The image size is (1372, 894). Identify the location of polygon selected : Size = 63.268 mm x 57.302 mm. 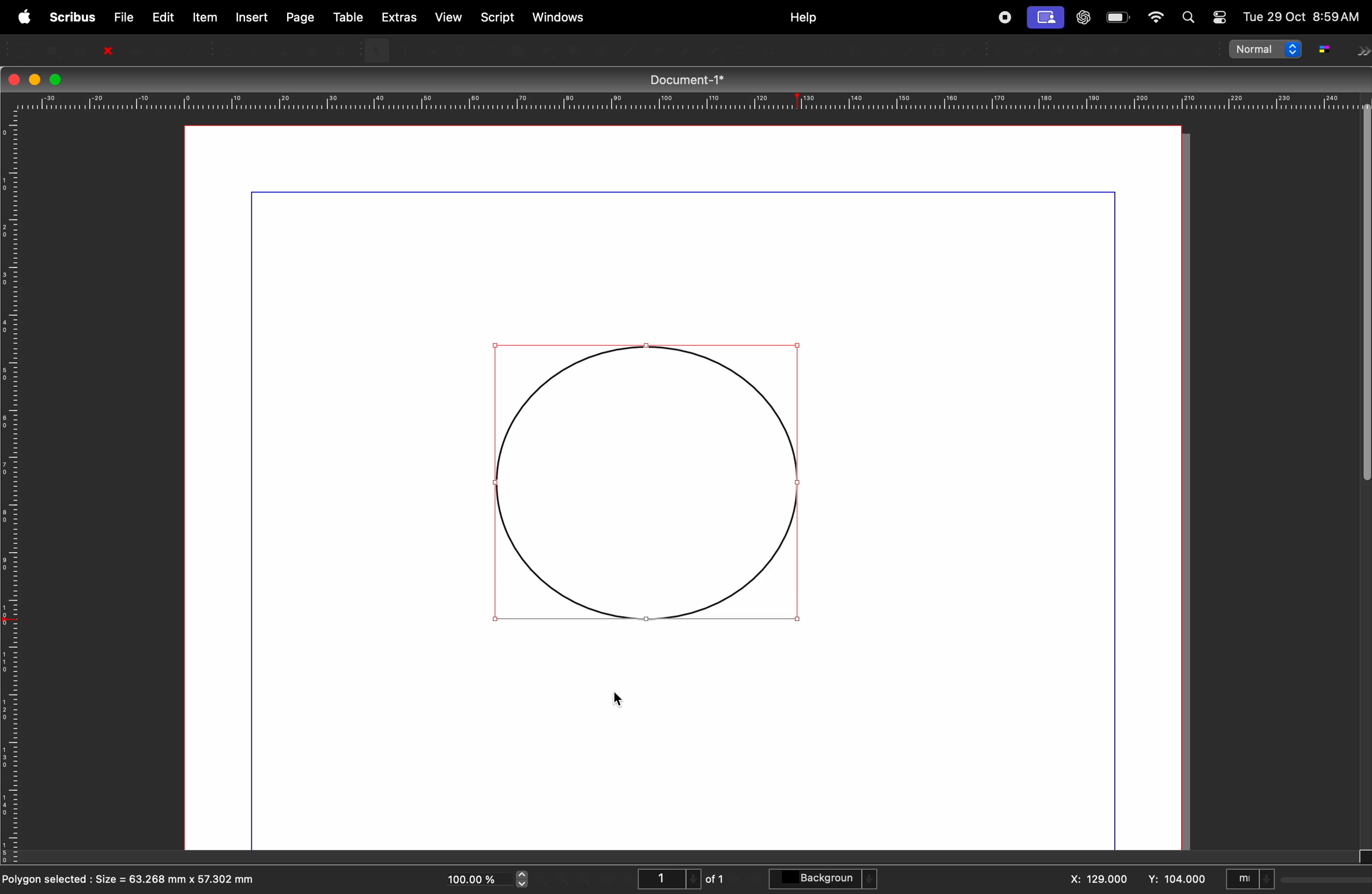
(141, 881).